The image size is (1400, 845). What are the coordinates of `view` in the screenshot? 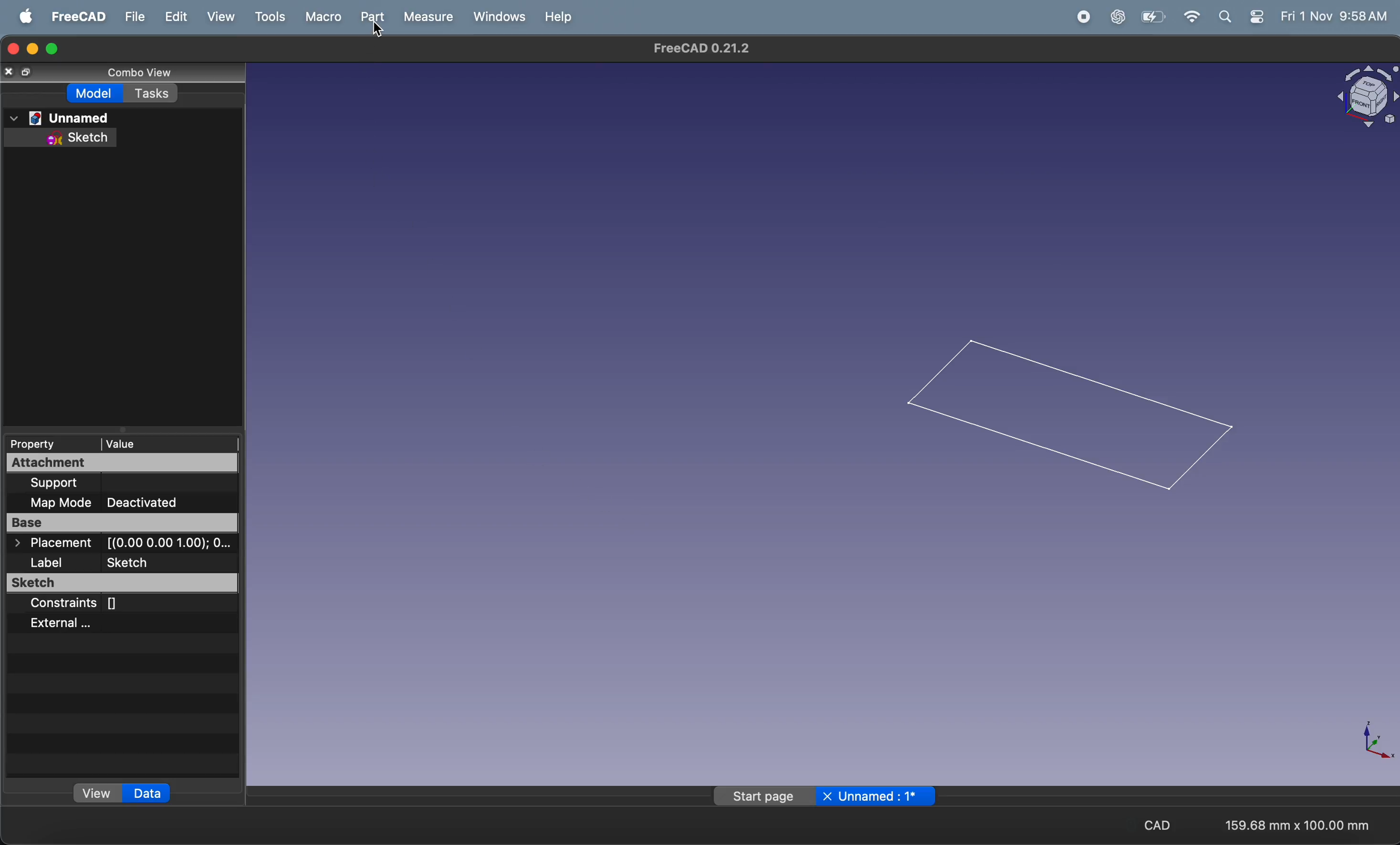 It's located at (217, 17).